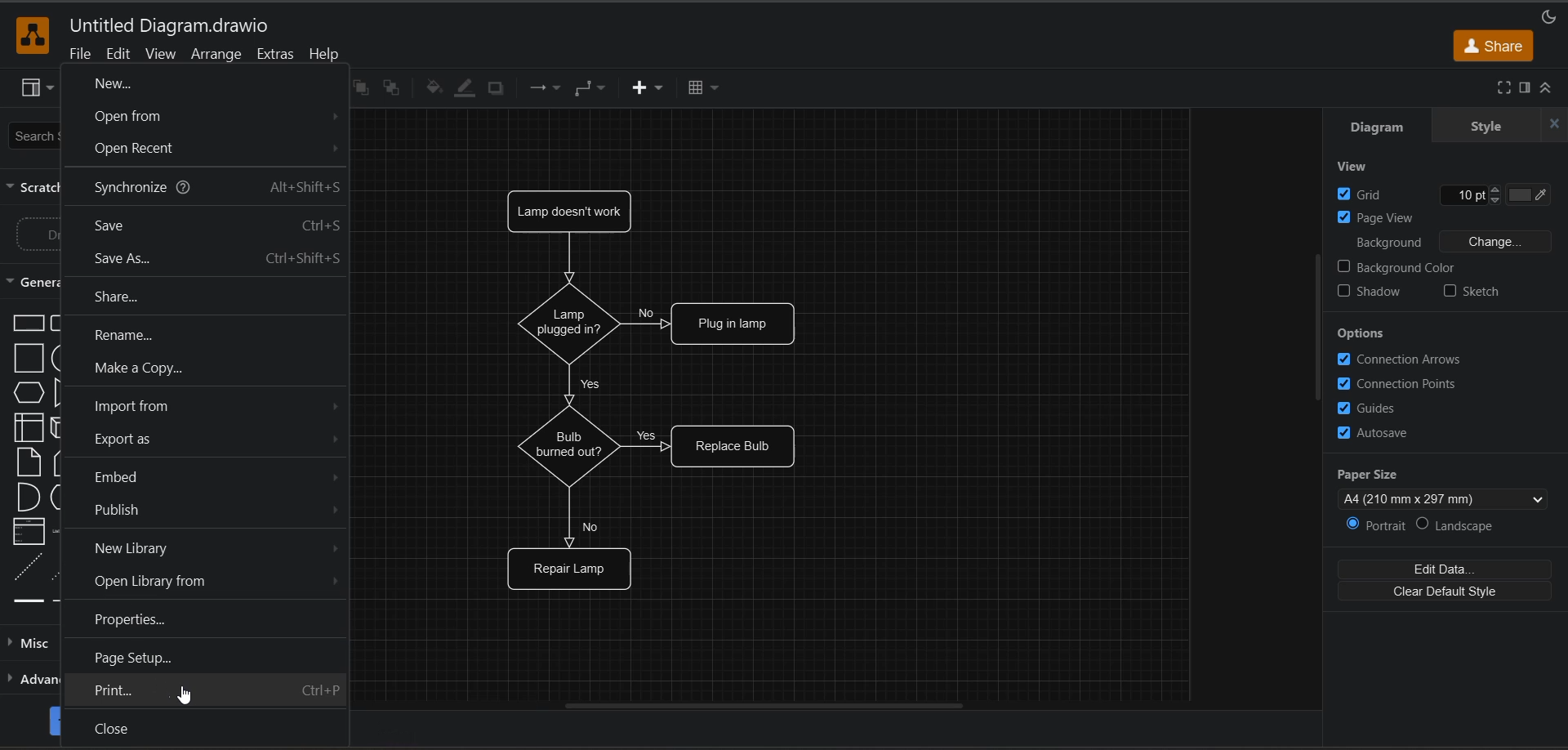 The height and width of the screenshot is (750, 1568). What do you see at coordinates (220, 56) in the screenshot?
I see `arrange` at bounding box center [220, 56].